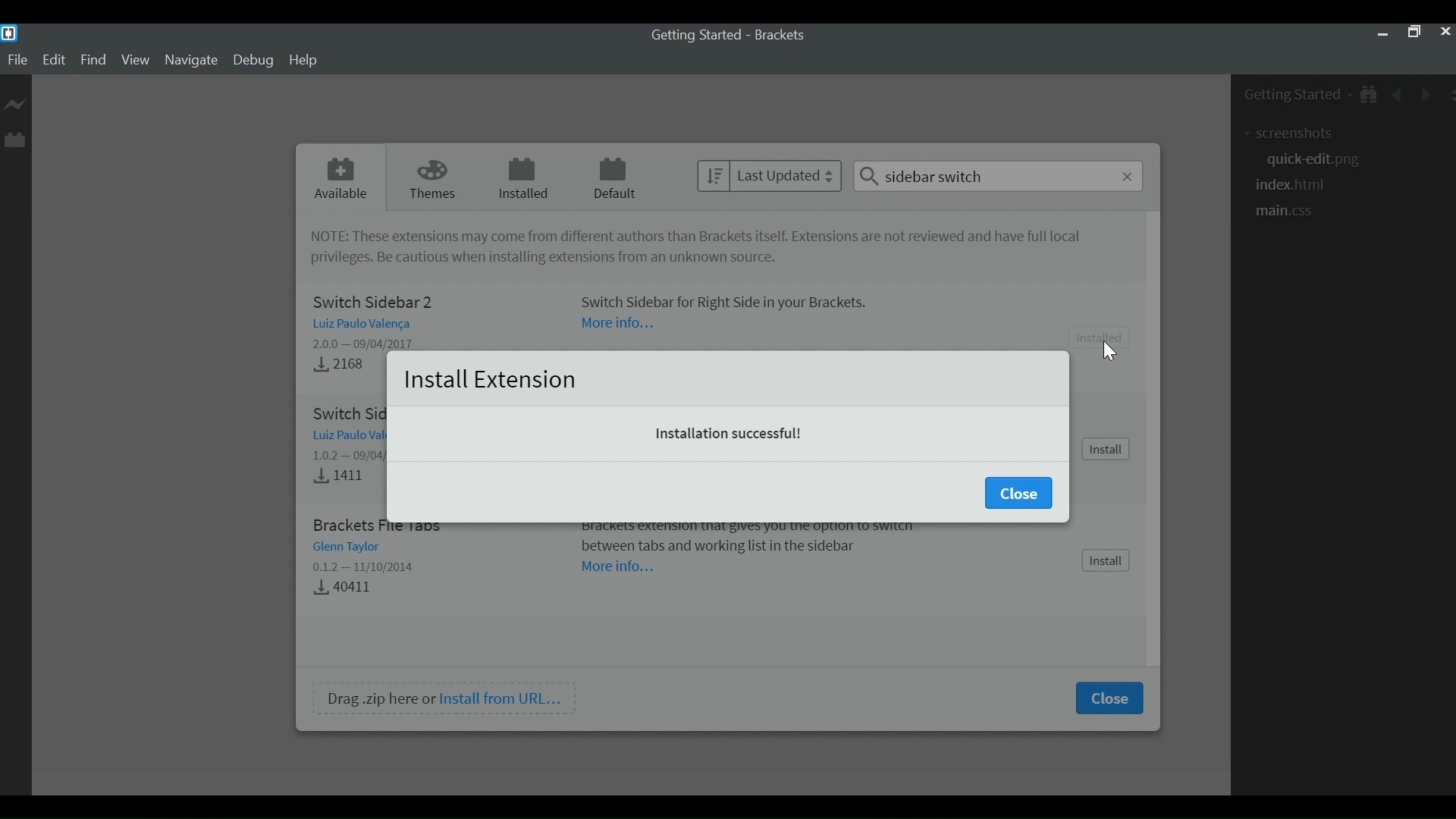  What do you see at coordinates (731, 433) in the screenshot?
I see `Installation successful` at bounding box center [731, 433].